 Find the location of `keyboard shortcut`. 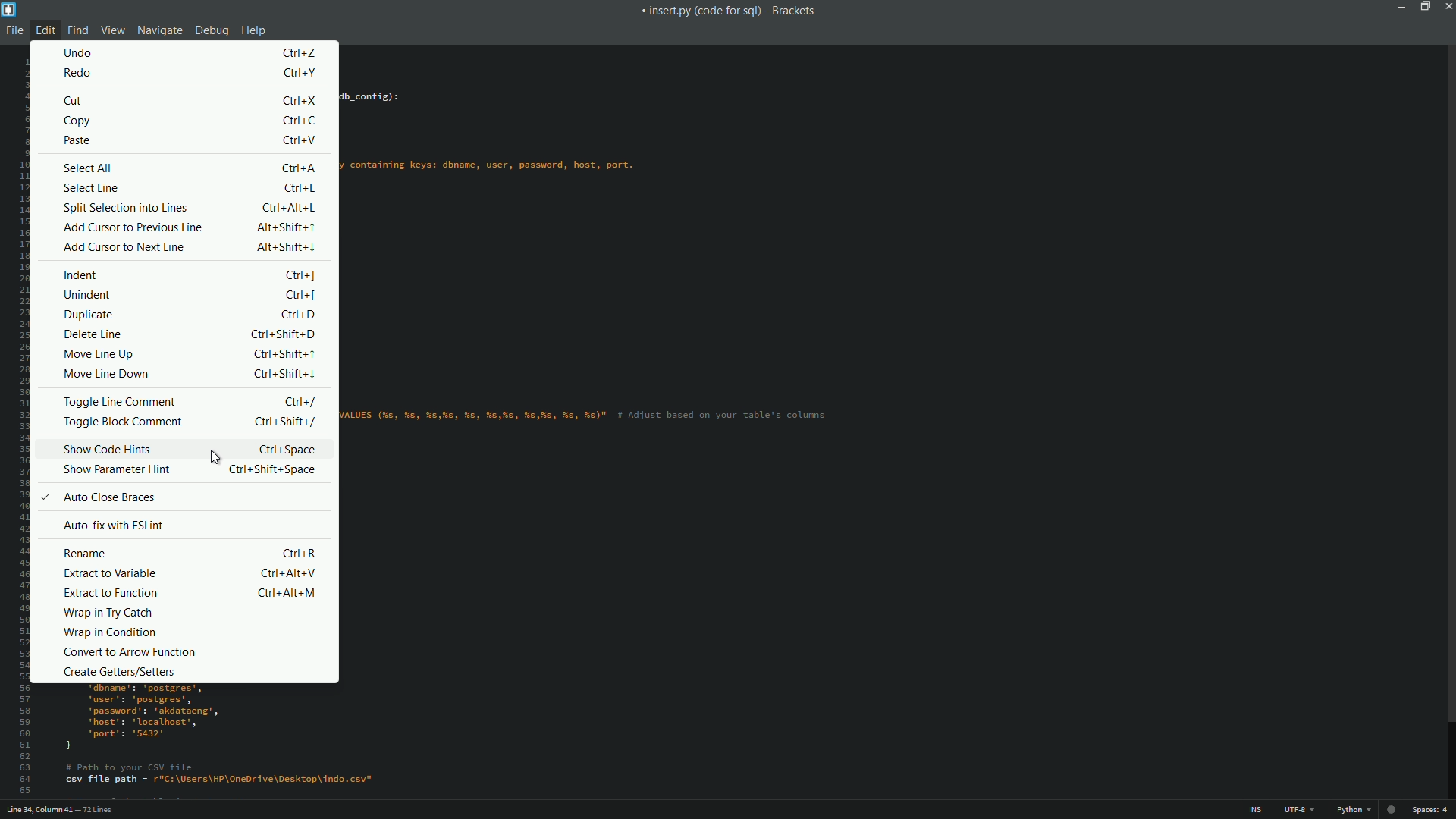

keyboard shortcut is located at coordinates (290, 209).